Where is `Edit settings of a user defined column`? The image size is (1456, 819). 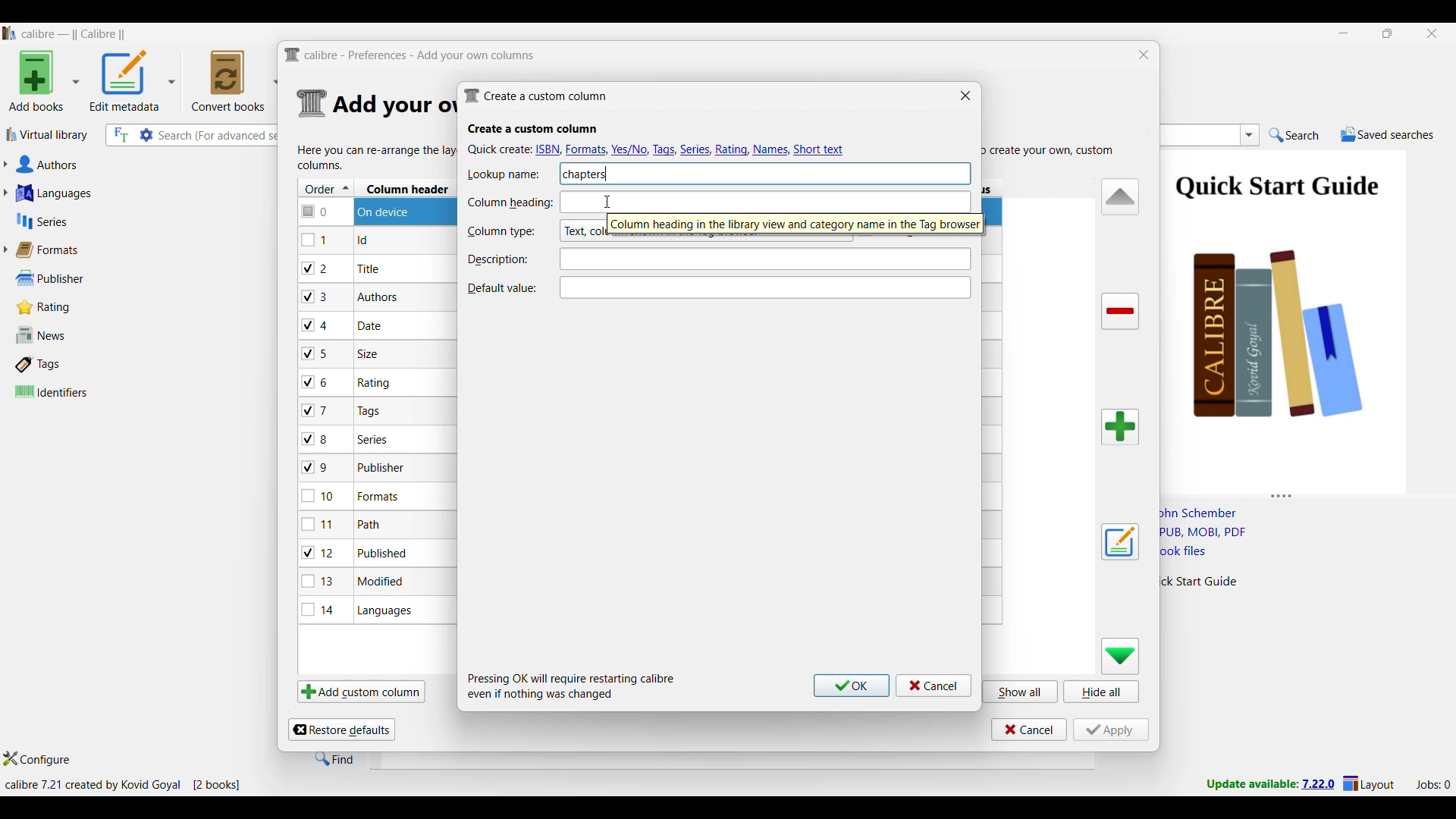 Edit settings of a user defined column is located at coordinates (1120, 542).